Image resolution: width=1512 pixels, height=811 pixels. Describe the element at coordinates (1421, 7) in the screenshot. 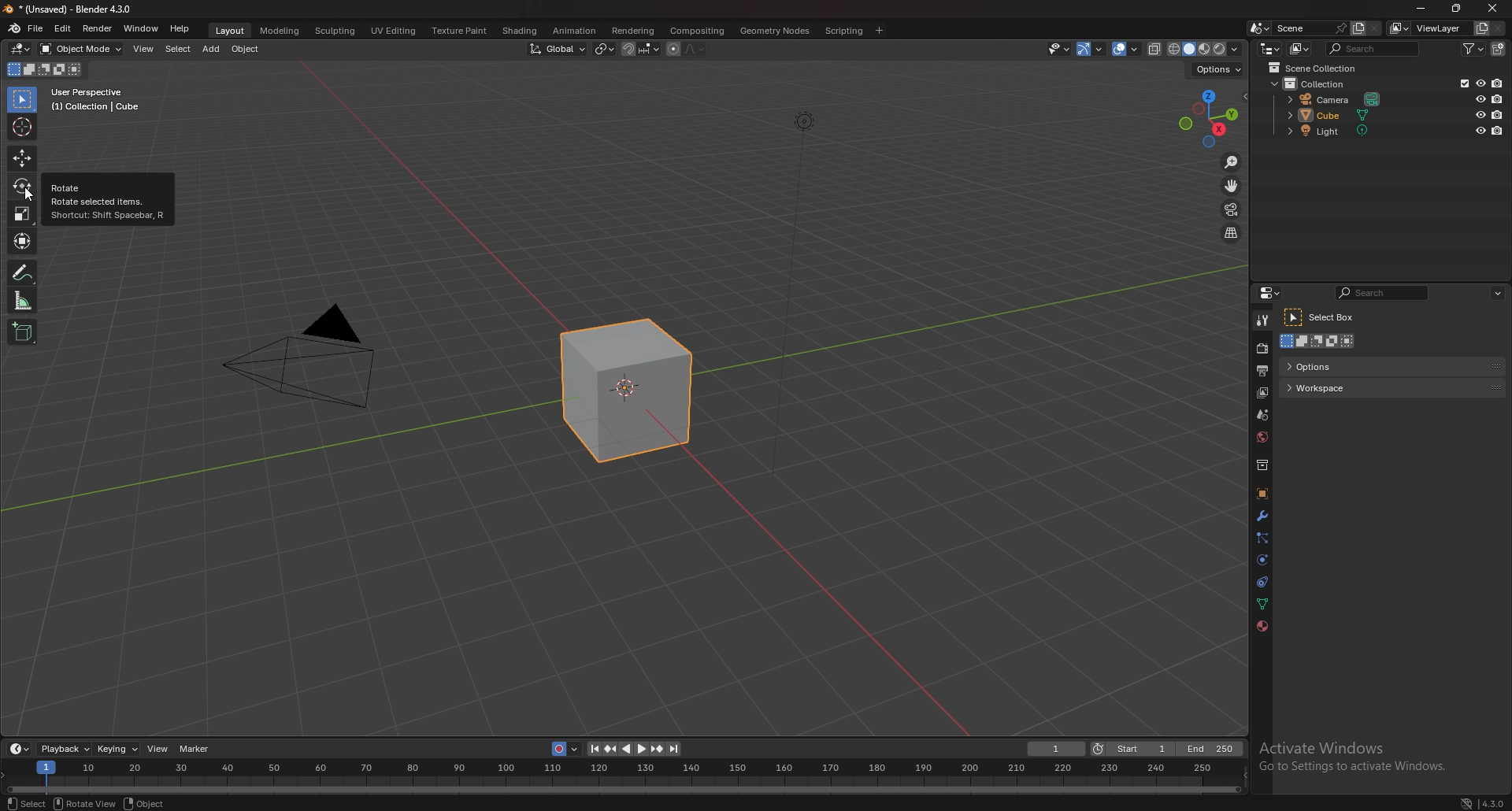

I see `minimize` at that location.